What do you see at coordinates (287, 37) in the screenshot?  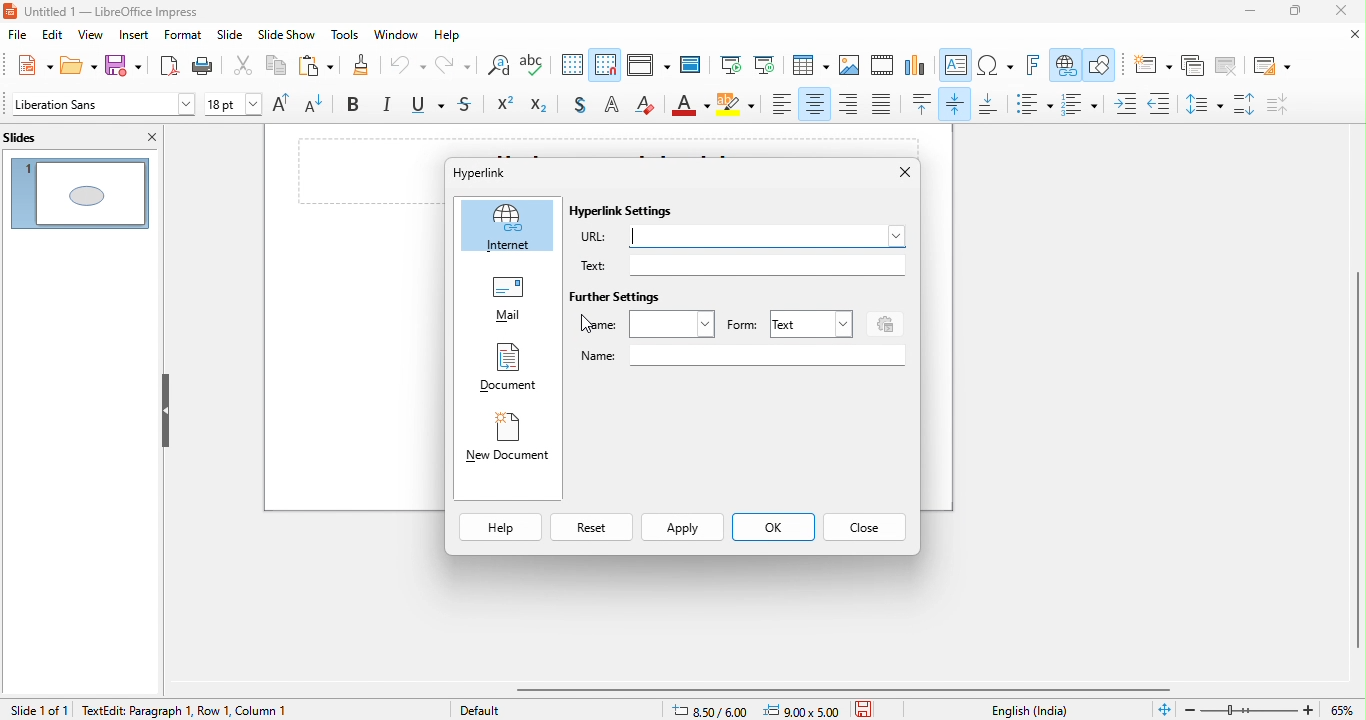 I see `slide show` at bounding box center [287, 37].